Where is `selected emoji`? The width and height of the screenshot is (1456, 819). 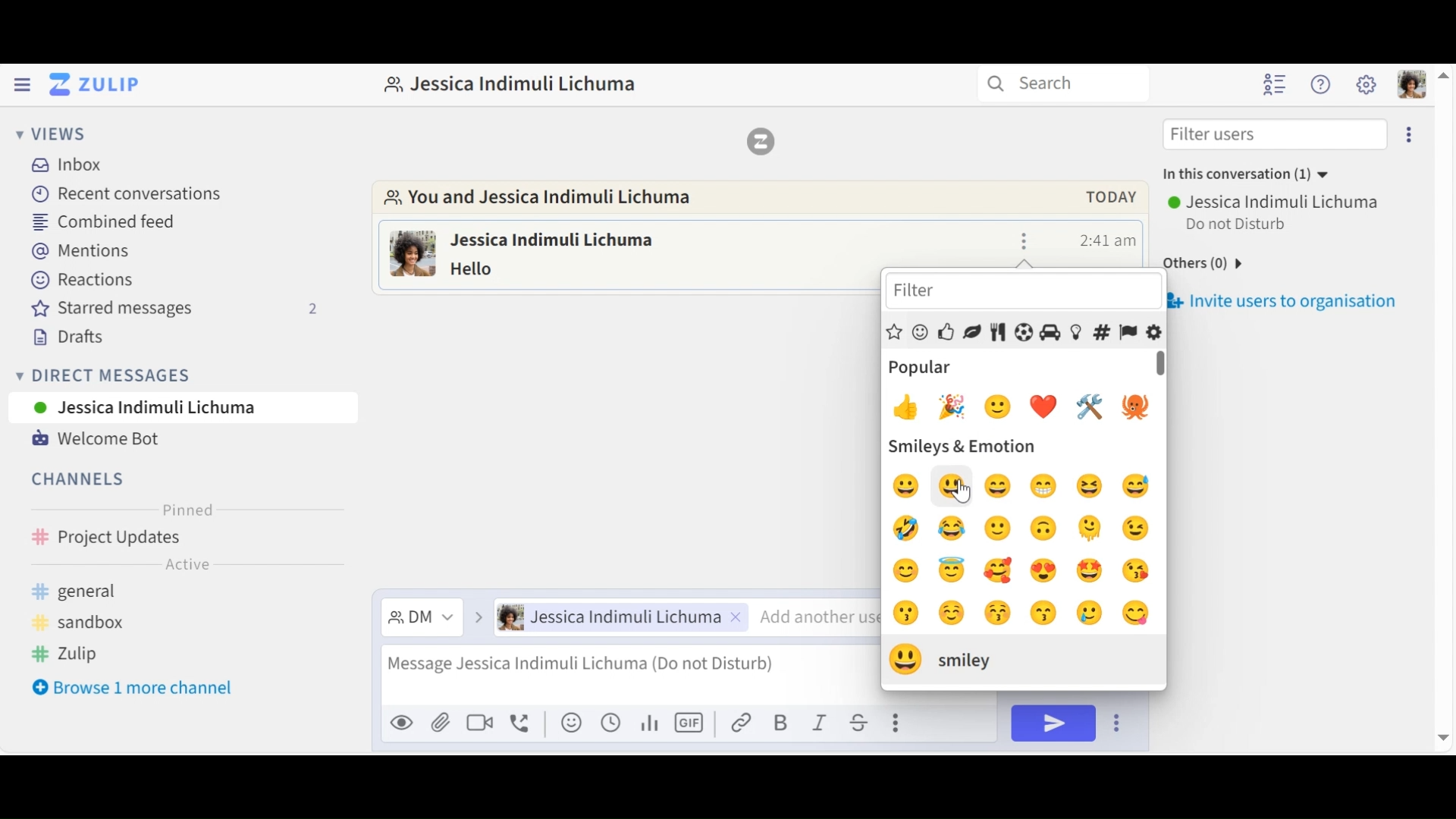
selected emoji is located at coordinates (939, 657).